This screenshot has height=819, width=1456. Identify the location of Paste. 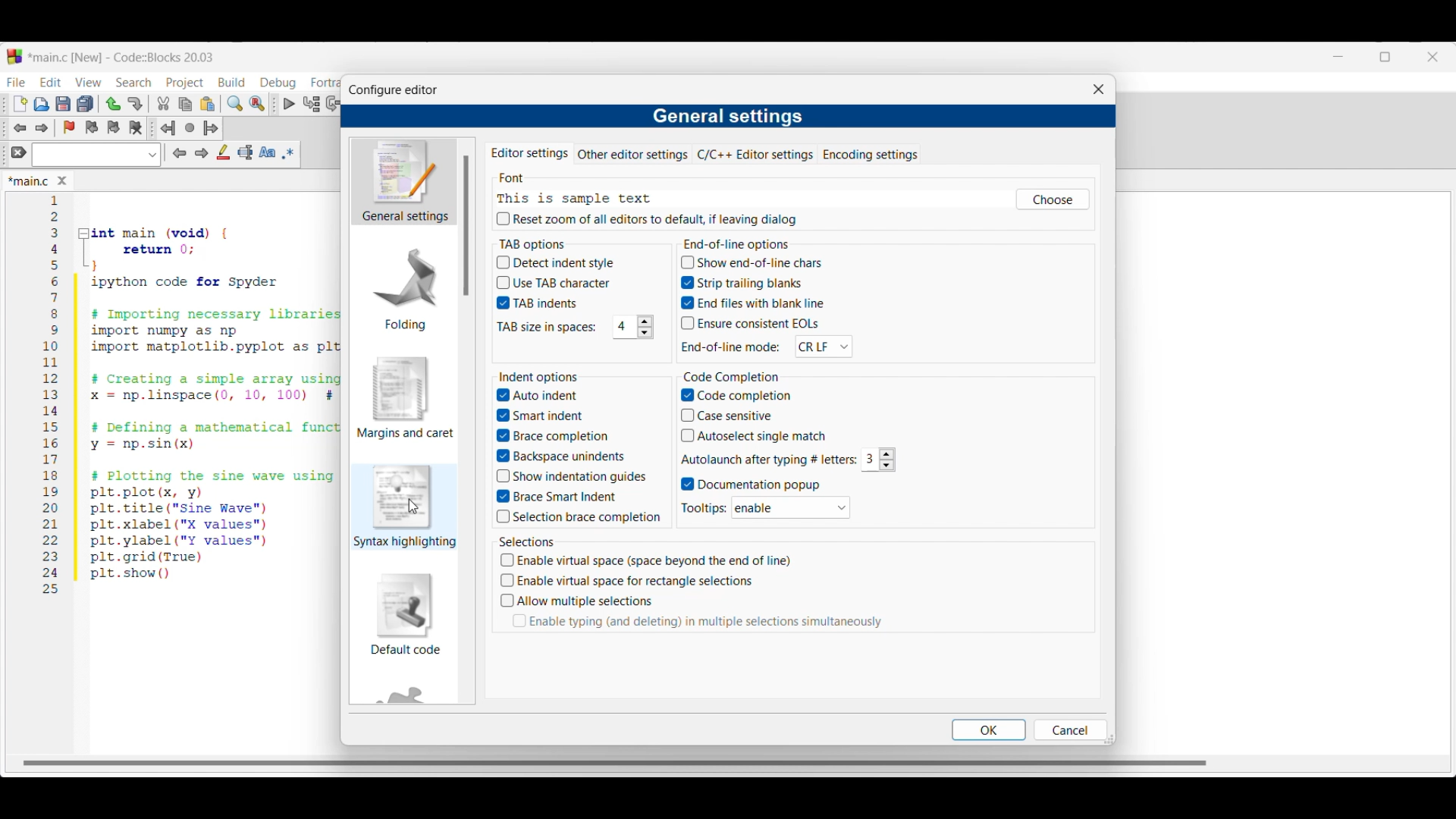
(208, 104).